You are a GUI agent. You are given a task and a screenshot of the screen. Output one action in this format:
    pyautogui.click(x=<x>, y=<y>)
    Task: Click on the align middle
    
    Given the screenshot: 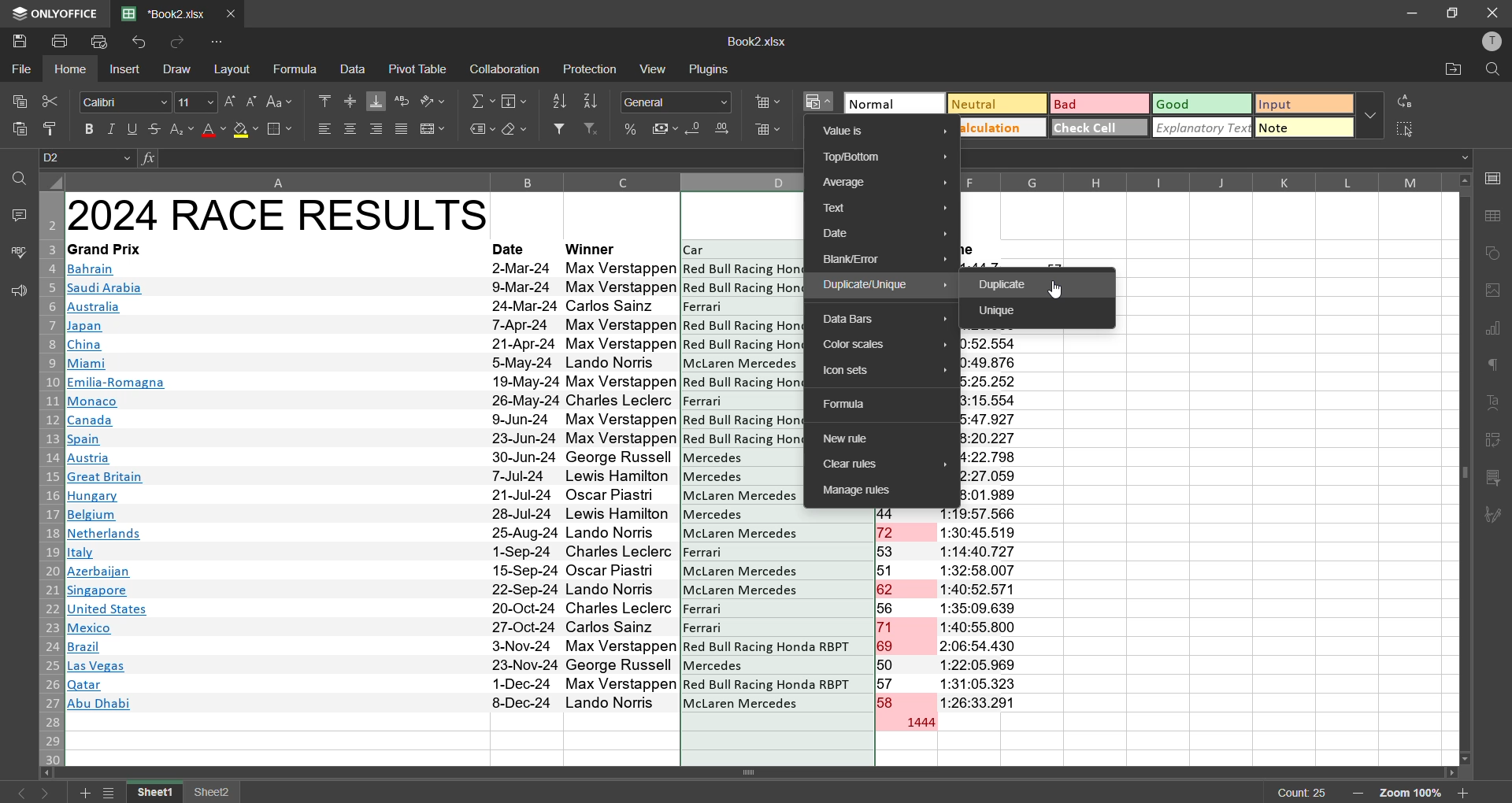 What is the action you would take?
    pyautogui.click(x=350, y=99)
    